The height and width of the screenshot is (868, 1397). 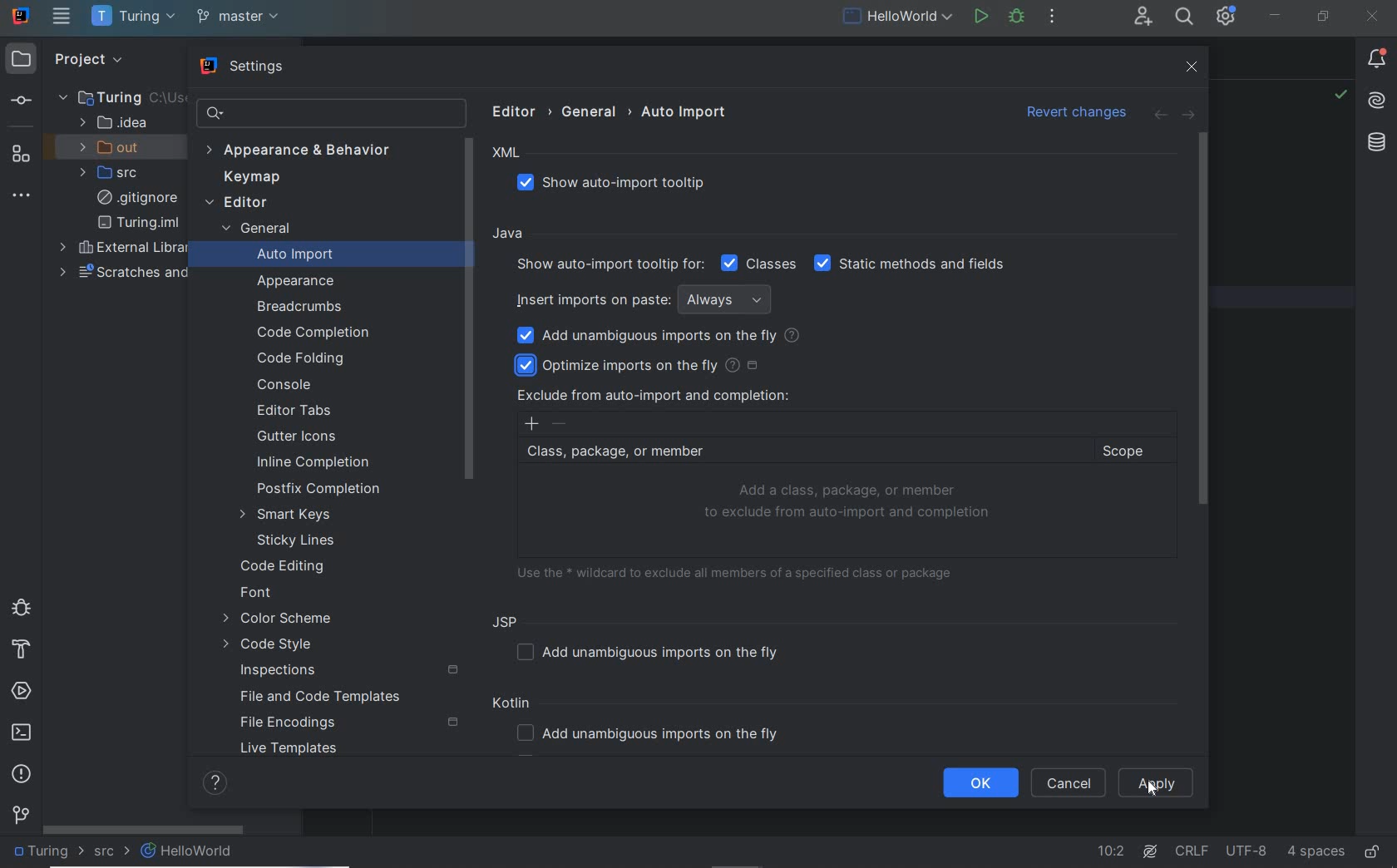 I want to click on INSERT IMPORTS ON PASTE:ALWAYS, so click(x=648, y=298).